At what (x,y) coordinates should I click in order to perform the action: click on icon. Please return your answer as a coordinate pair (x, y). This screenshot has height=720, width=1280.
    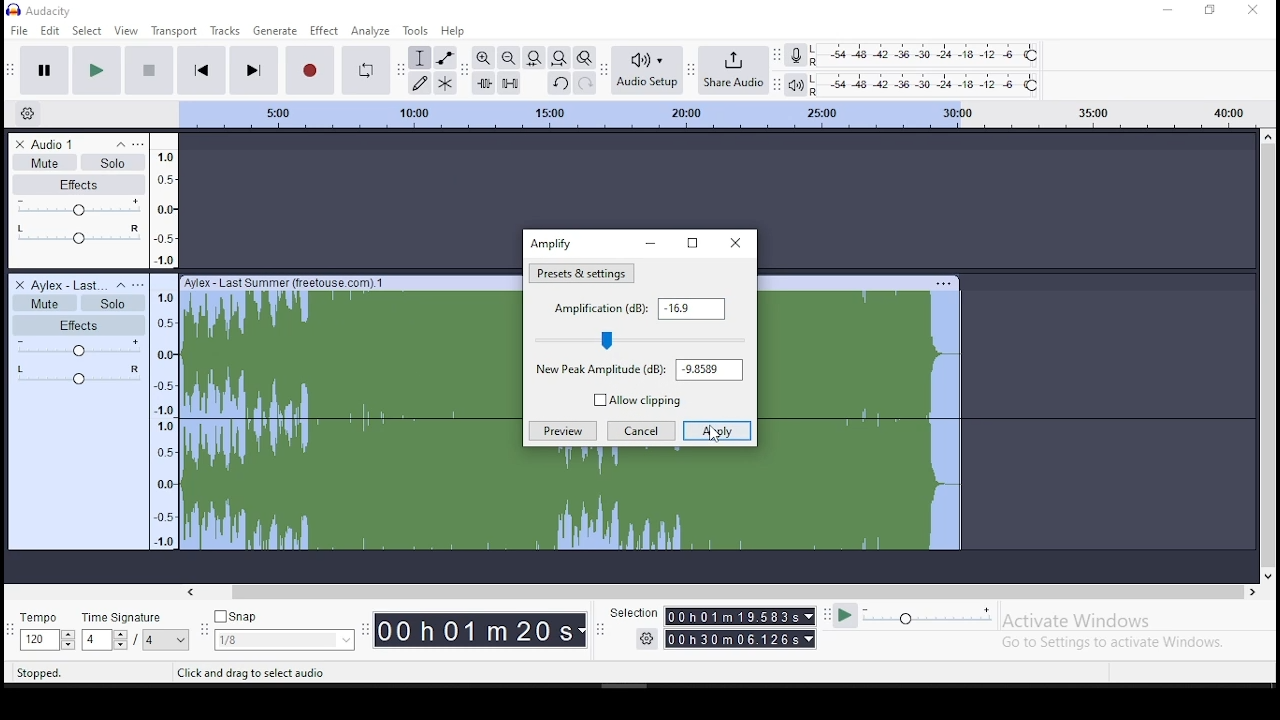
    Looking at the image, I should click on (44, 11).